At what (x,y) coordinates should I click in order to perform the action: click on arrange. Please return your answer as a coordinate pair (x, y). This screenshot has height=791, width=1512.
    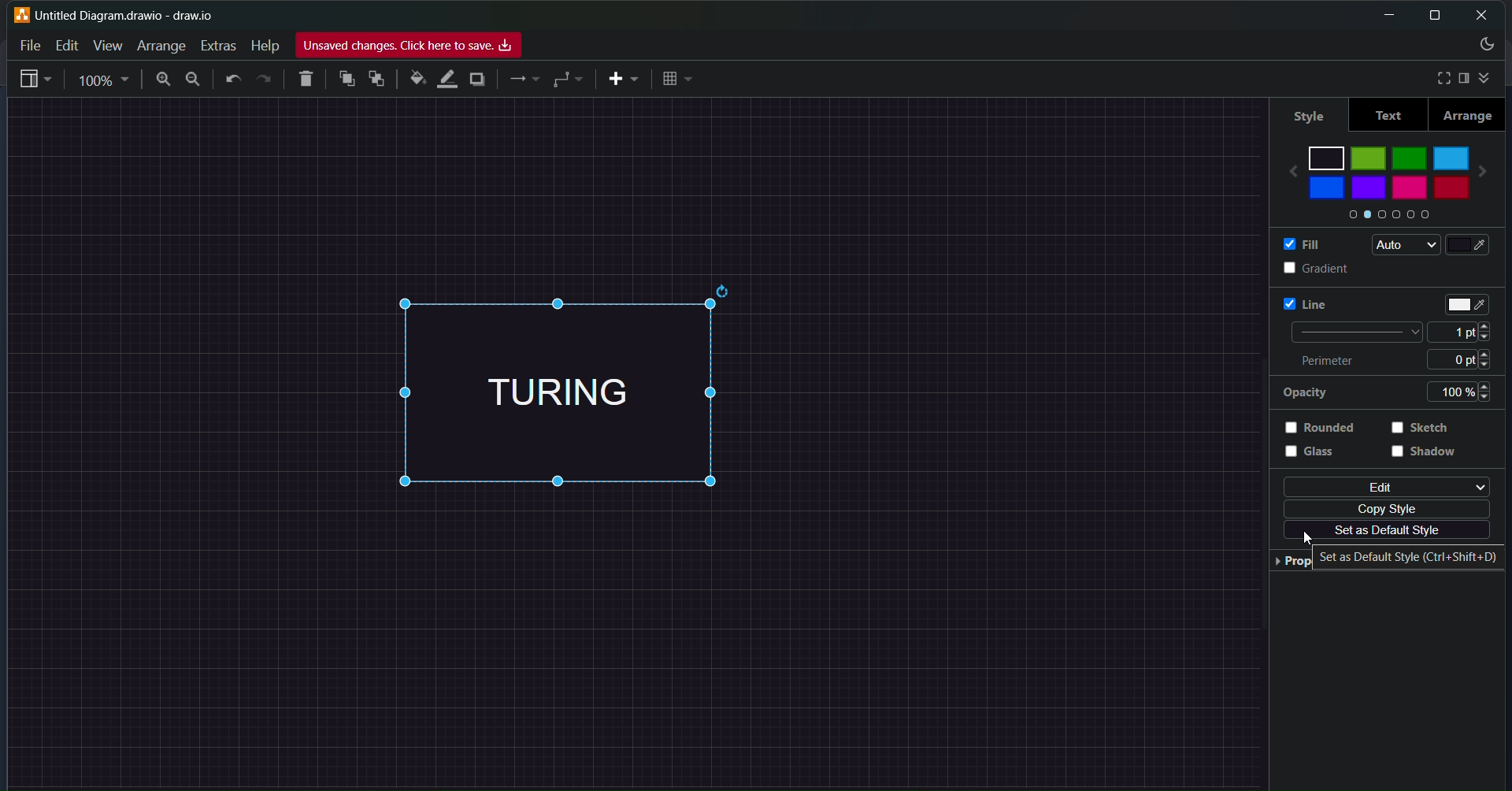
    Looking at the image, I should click on (1469, 115).